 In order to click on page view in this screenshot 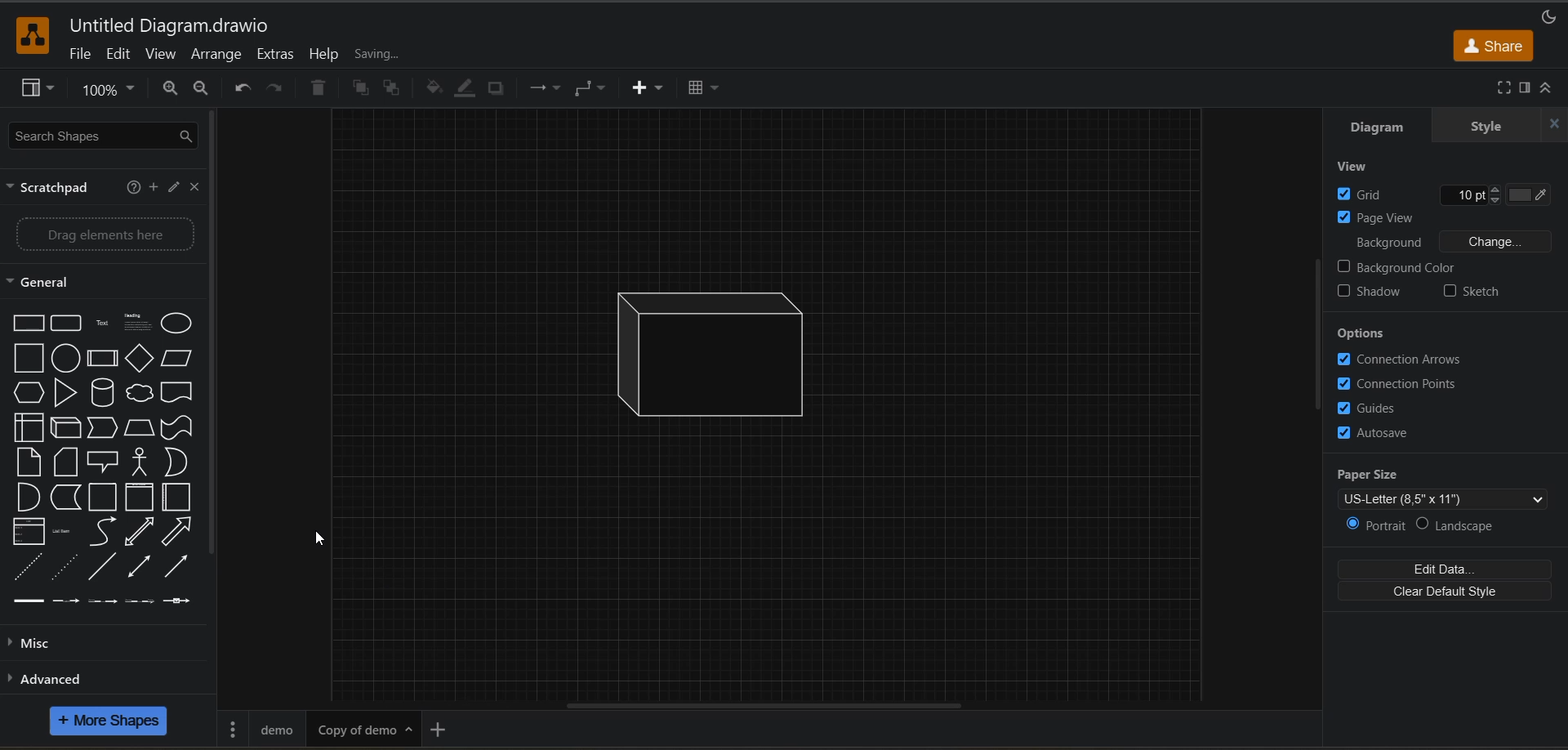, I will do `click(1384, 216)`.